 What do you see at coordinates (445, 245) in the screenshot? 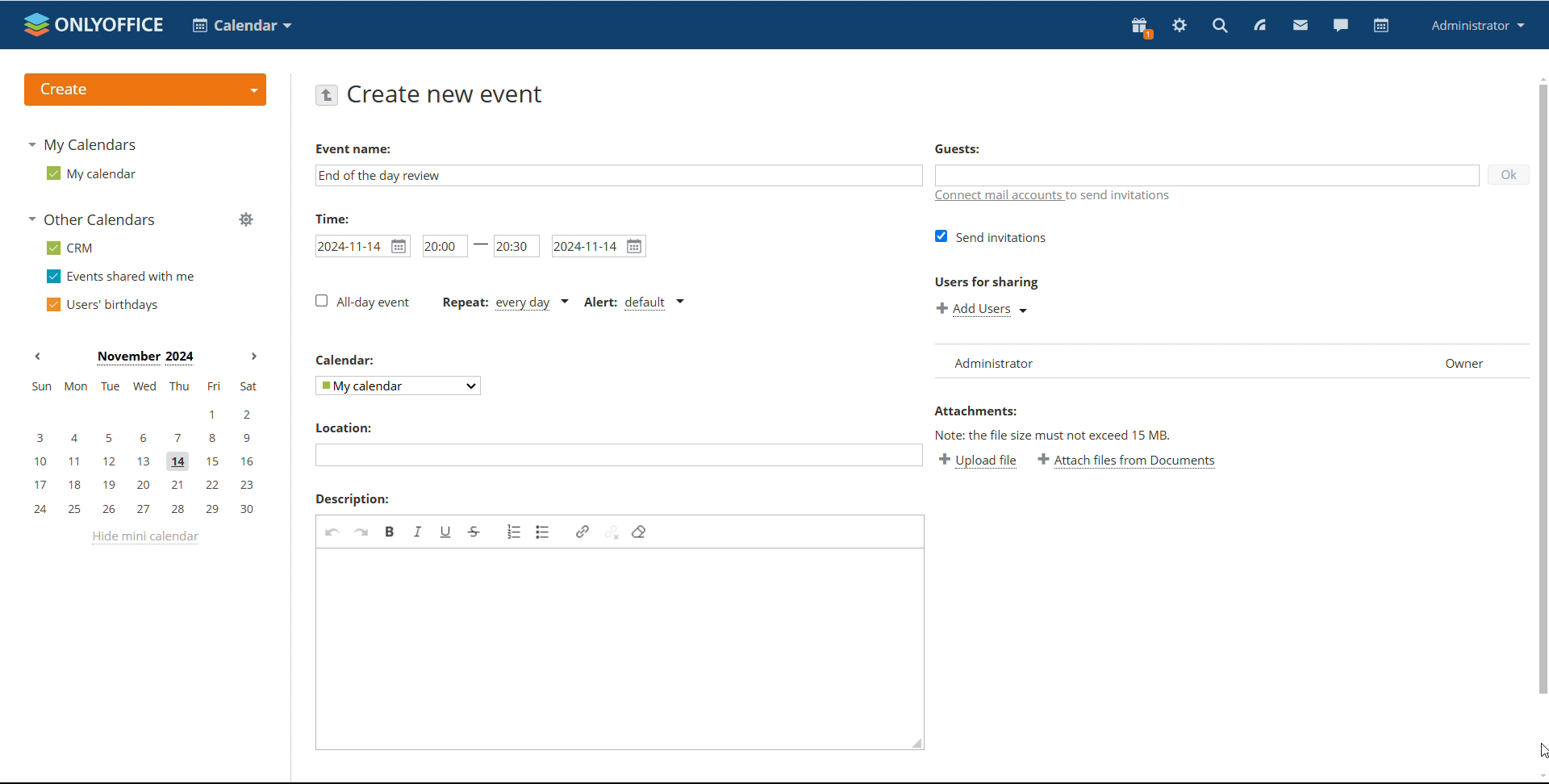
I see `start time set` at bounding box center [445, 245].